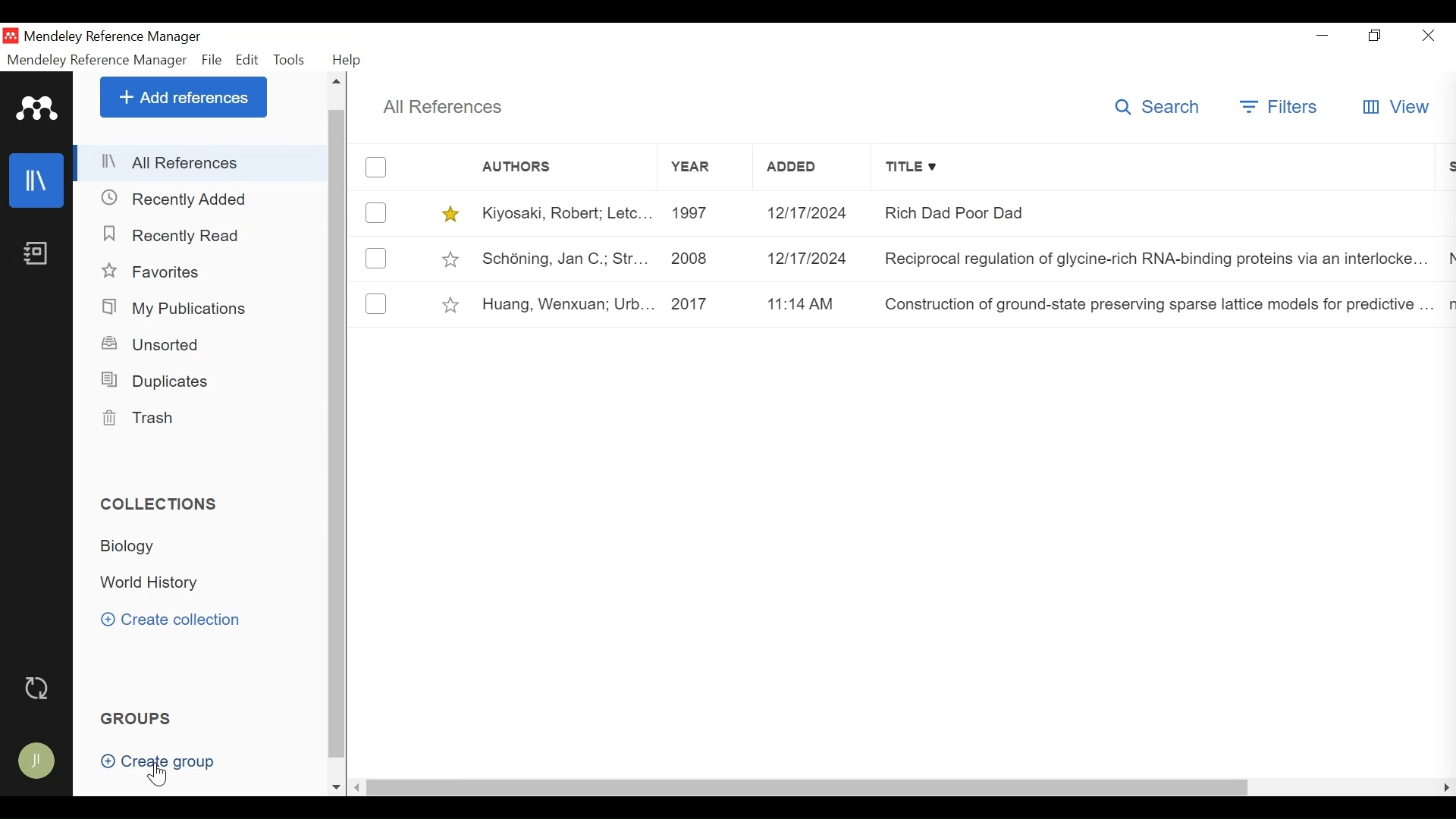  What do you see at coordinates (1156, 168) in the screenshot?
I see `Title` at bounding box center [1156, 168].